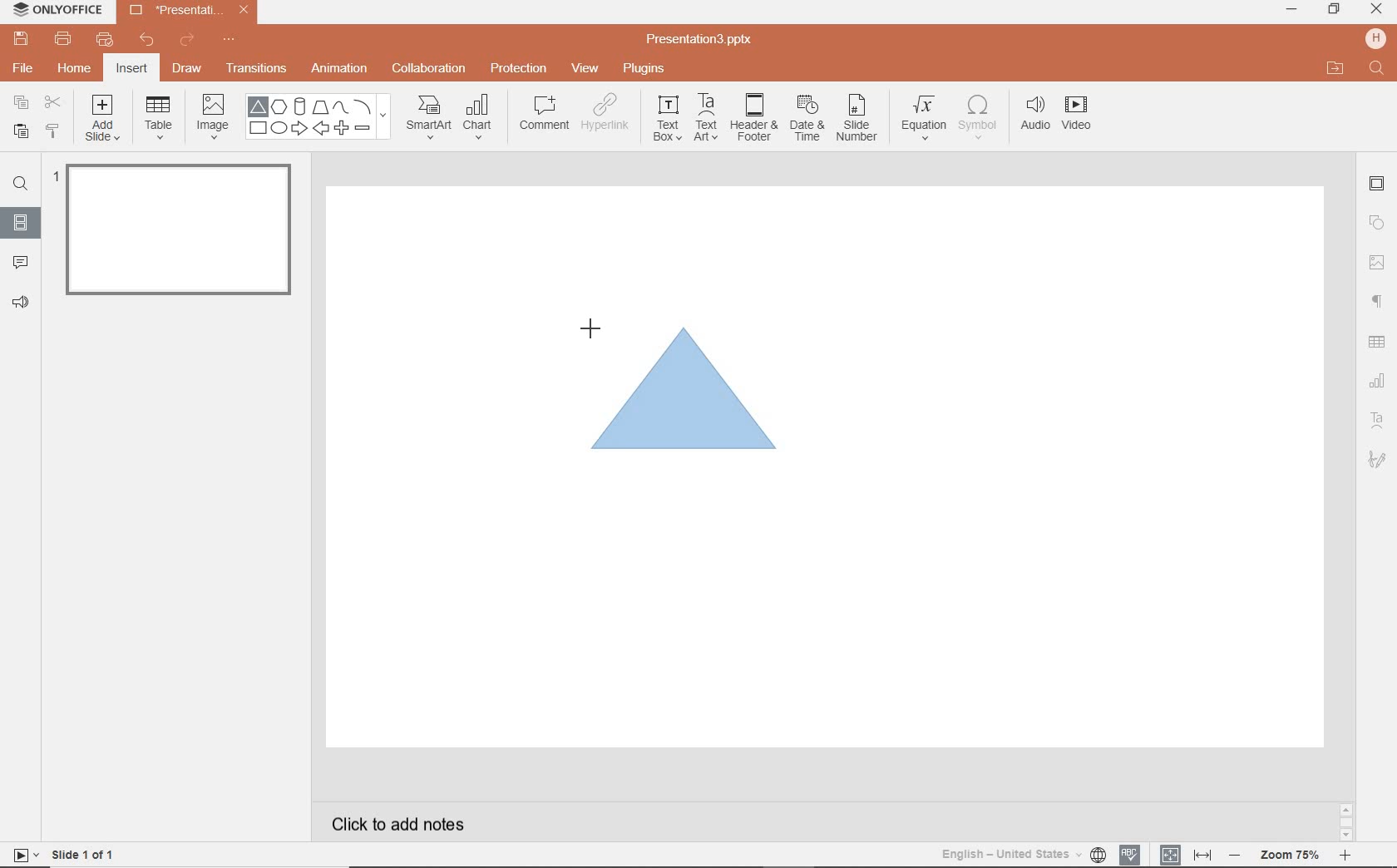 The image size is (1397, 868). Describe the element at coordinates (666, 118) in the screenshot. I see `TEXT BOX` at that location.